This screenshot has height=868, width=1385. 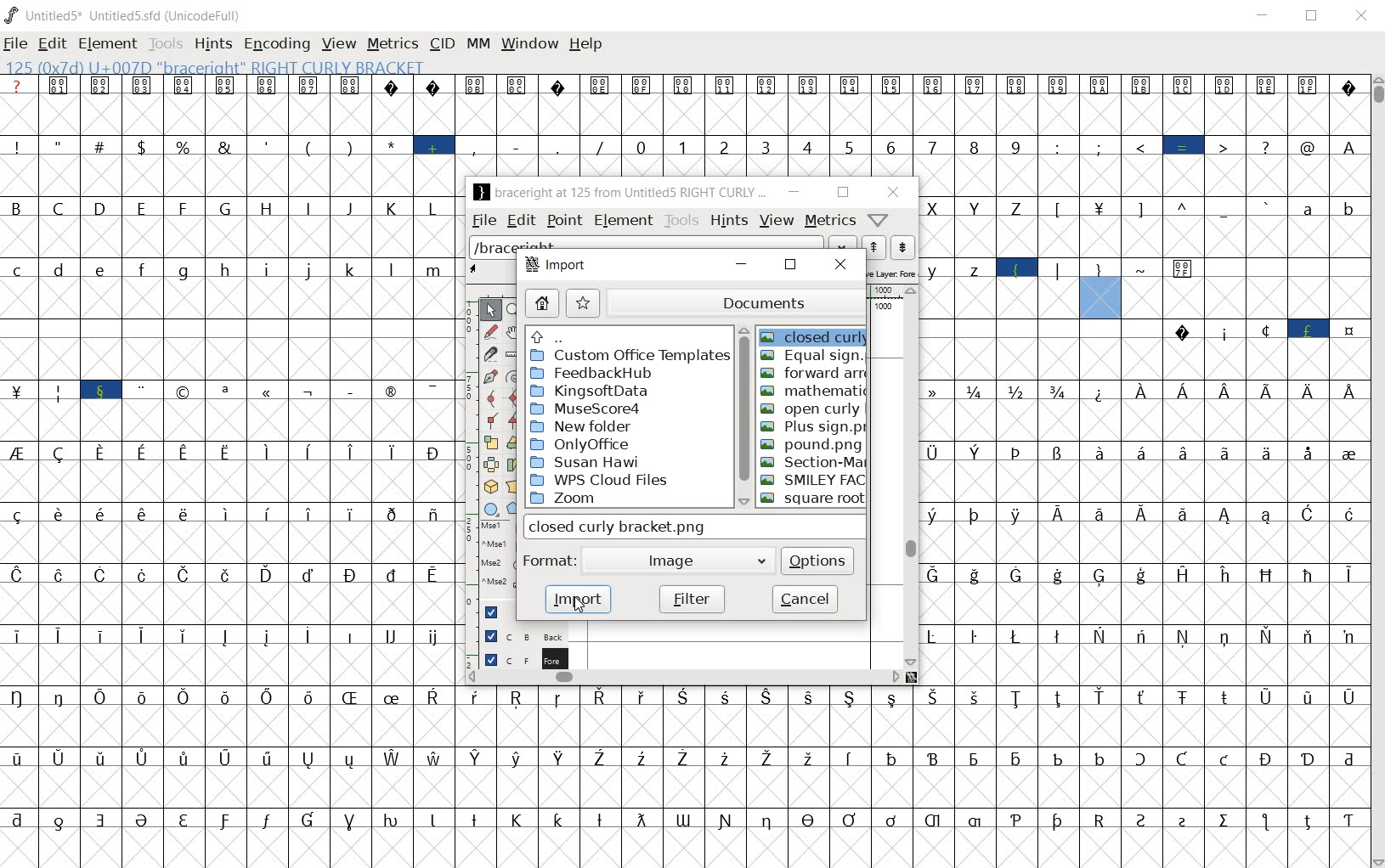 I want to click on Help/Window, so click(x=879, y=221).